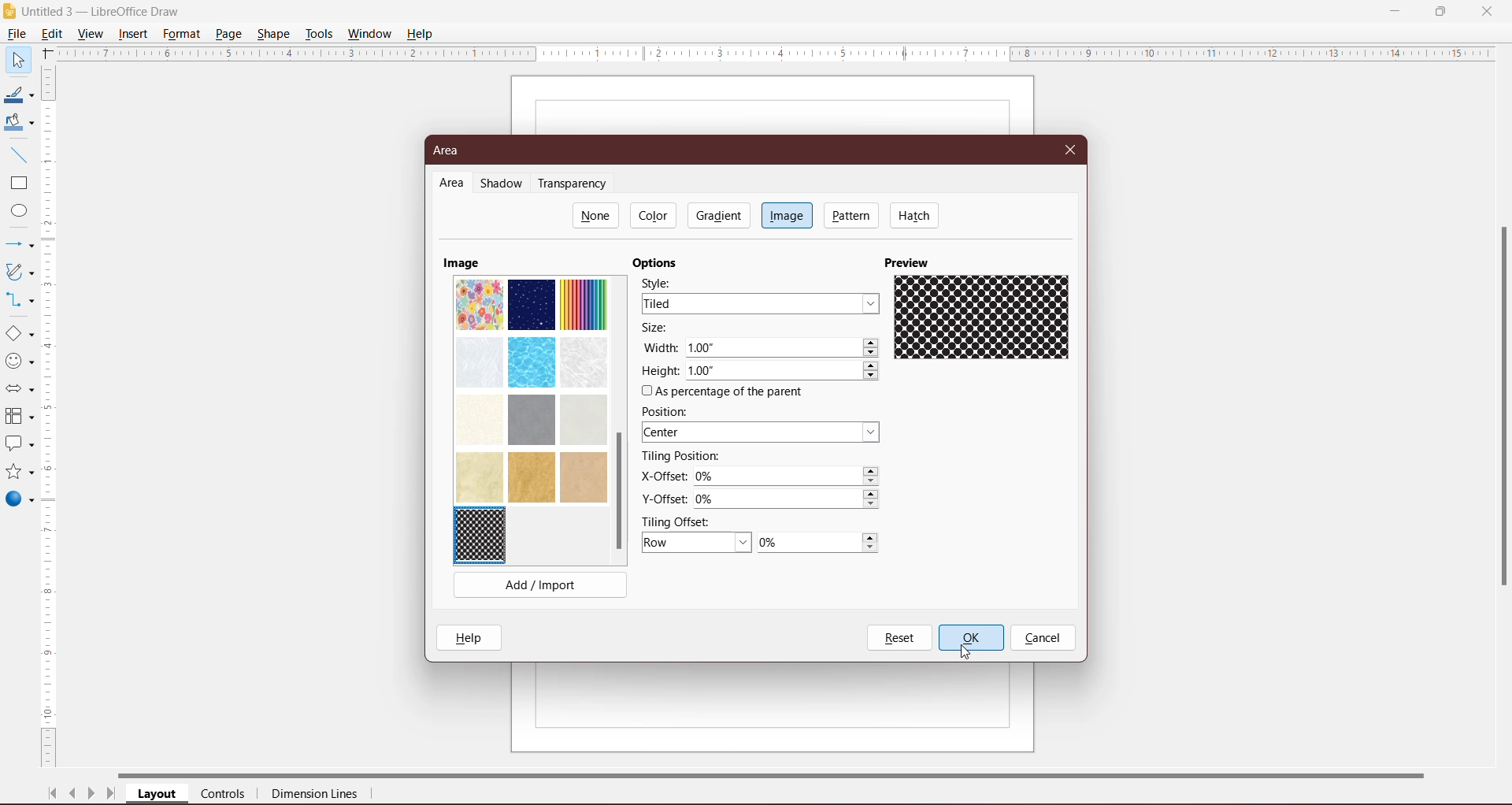  Describe the element at coordinates (683, 521) in the screenshot. I see `Tiling Offset` at that location.